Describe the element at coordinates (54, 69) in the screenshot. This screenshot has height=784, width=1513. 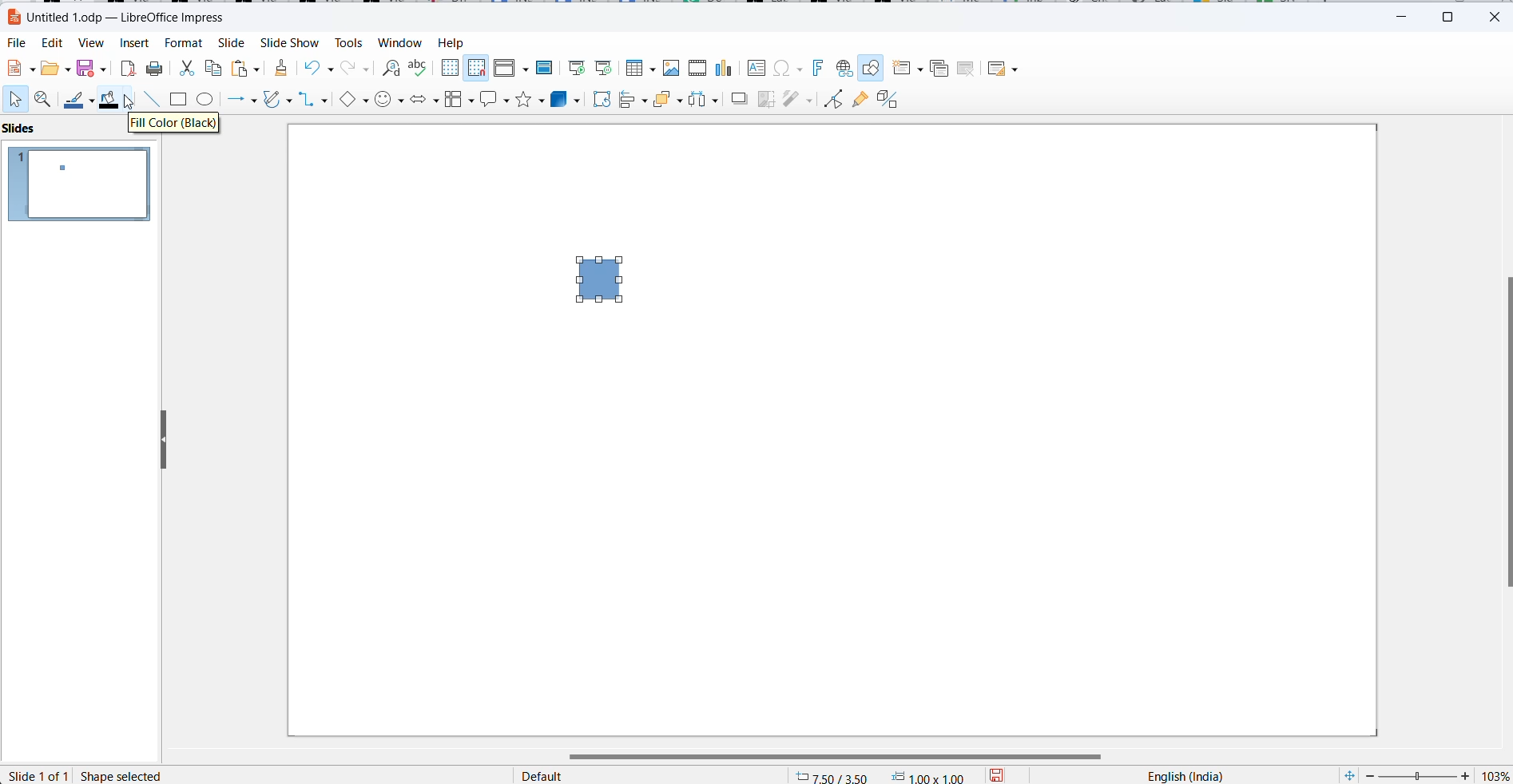
I see `fill options` at that location.